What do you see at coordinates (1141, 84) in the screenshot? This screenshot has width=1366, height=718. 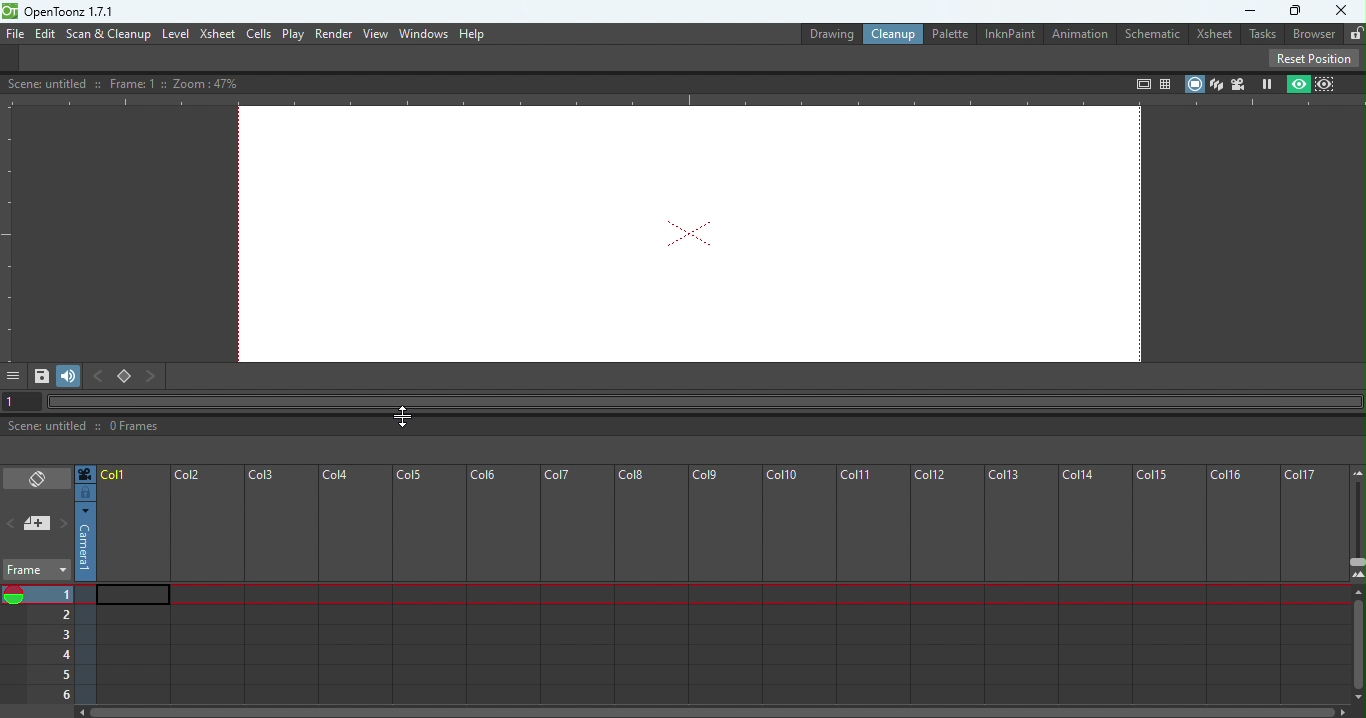 I see `Safe area` at bounding box center [1141, 84].